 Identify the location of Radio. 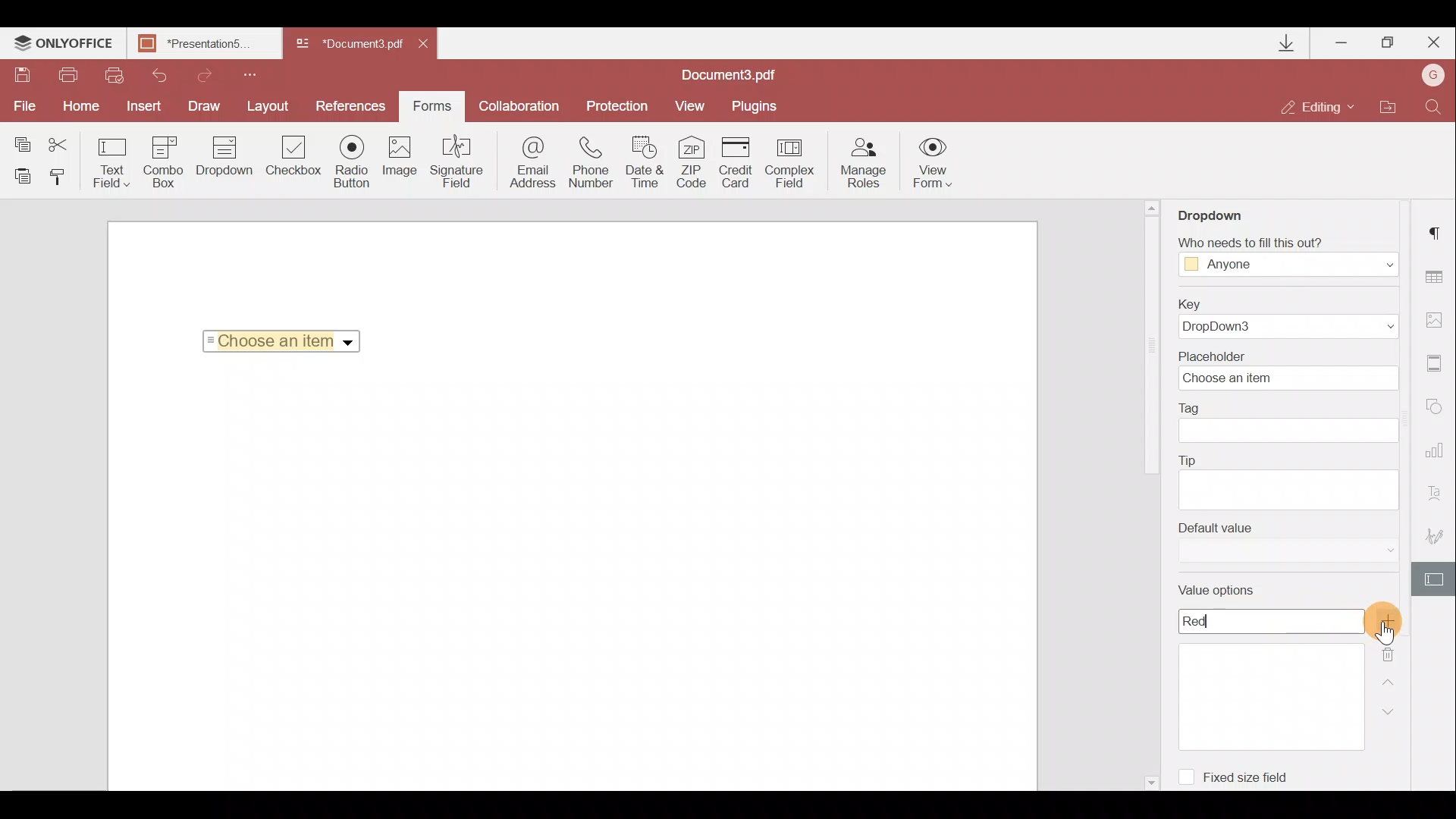
(354, 162).